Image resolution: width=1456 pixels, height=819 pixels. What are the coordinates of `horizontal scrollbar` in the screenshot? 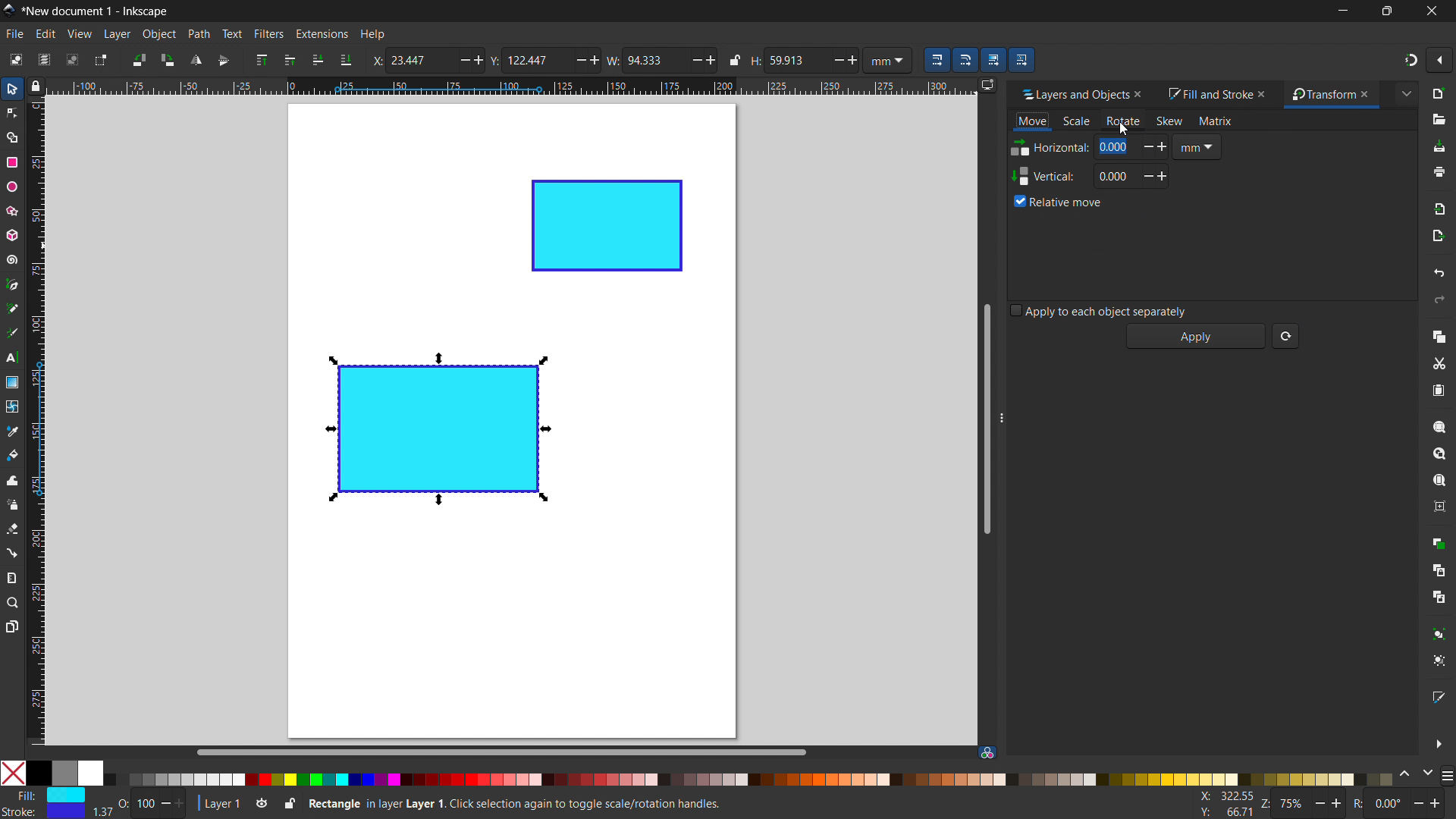 It's located at (499, 752).